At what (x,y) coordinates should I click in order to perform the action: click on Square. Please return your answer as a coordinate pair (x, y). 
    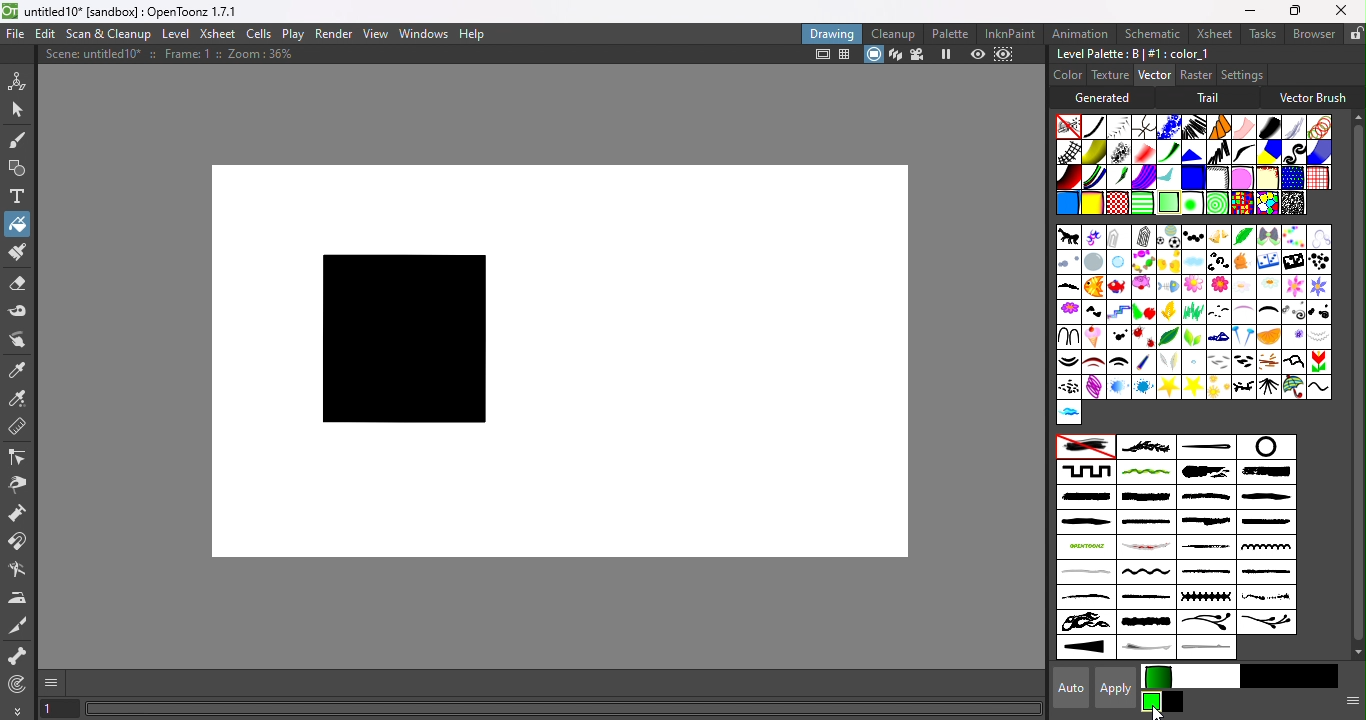
    Looking at the image, I should click on (1318, 177).